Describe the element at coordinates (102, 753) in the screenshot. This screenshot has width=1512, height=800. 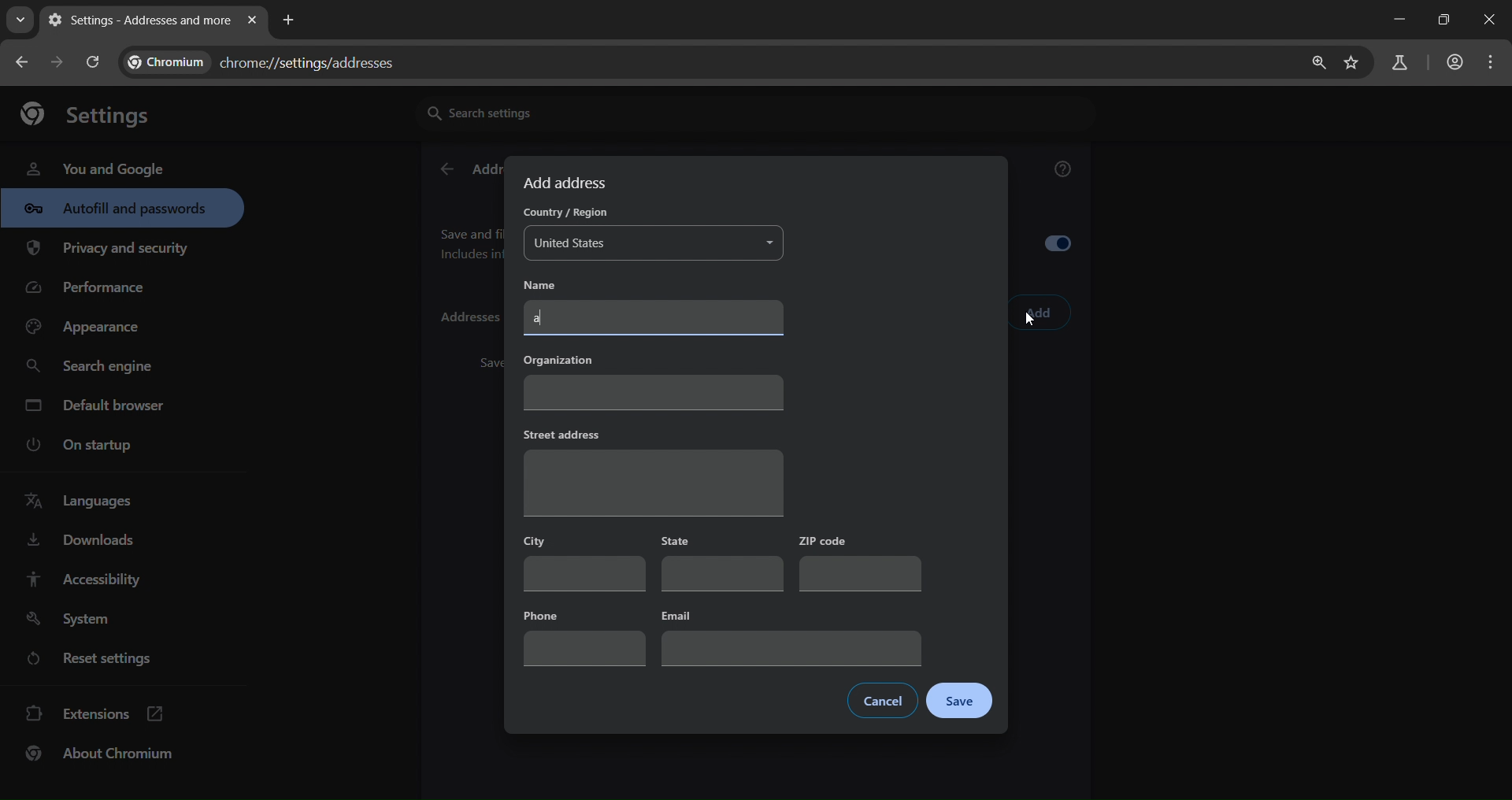
I see `bout chromium` at that location.